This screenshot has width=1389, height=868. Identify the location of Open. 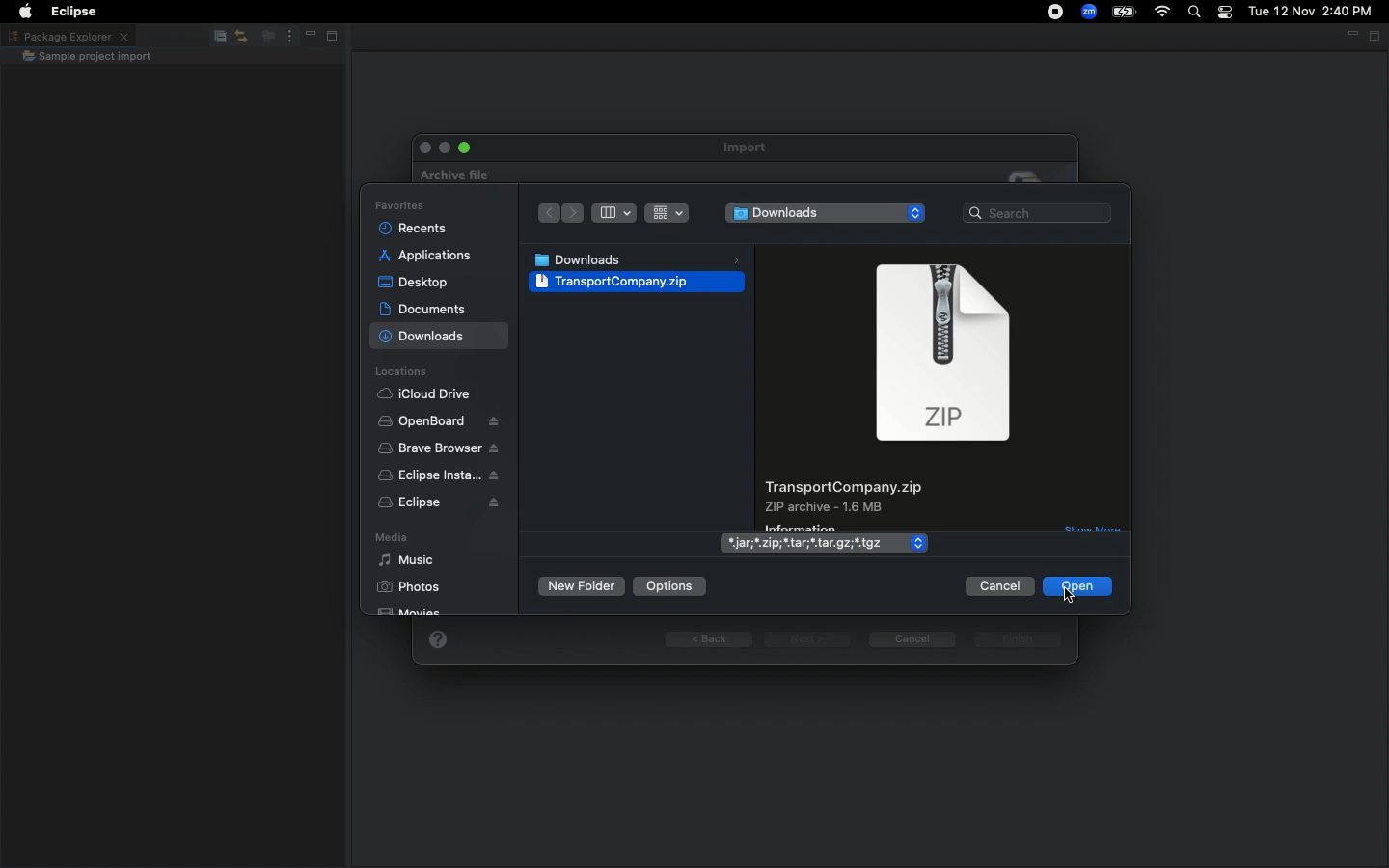
(1078, 586).